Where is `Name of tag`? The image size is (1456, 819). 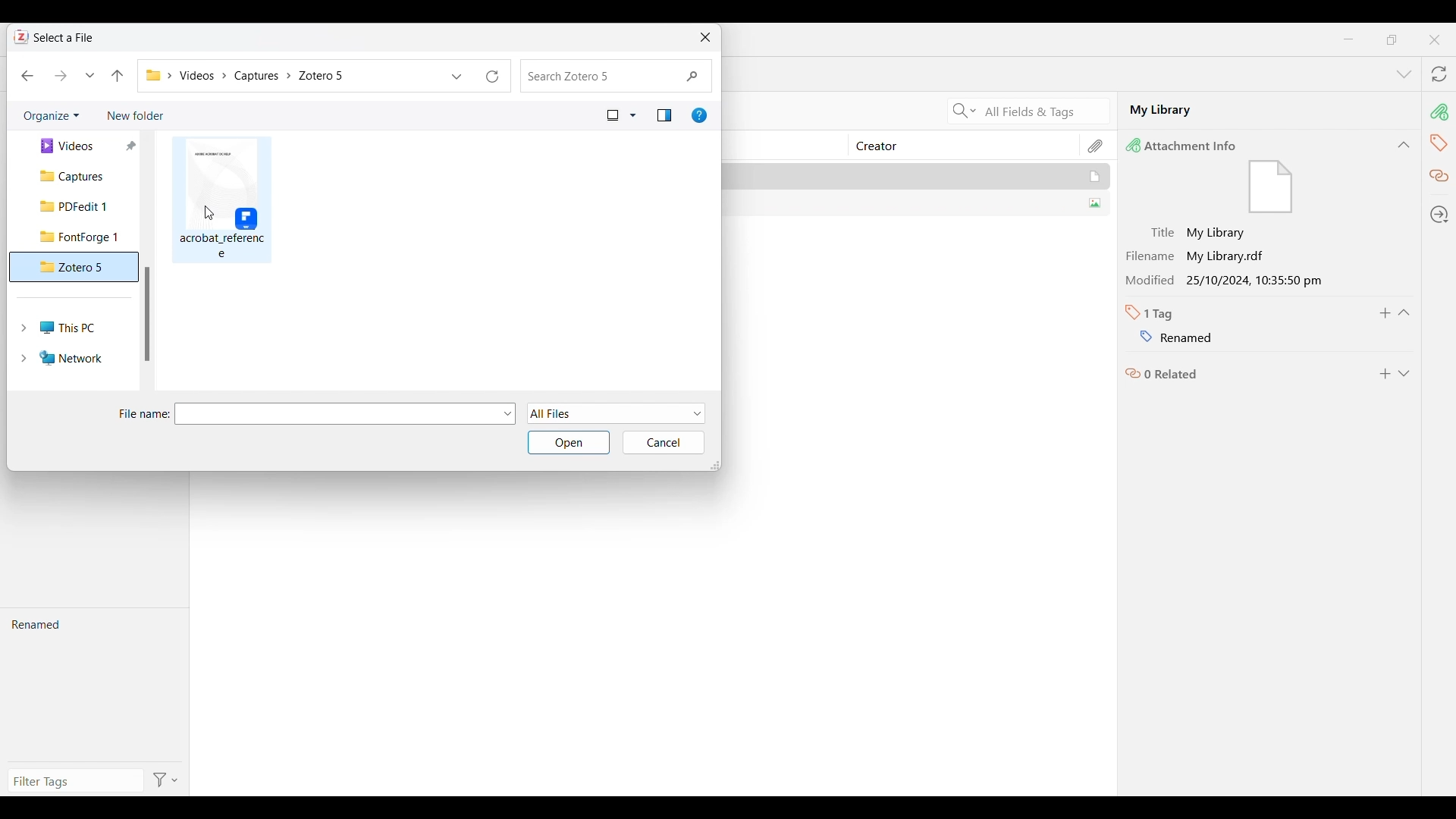
Name of tag is located at coordinates (1167, 335).